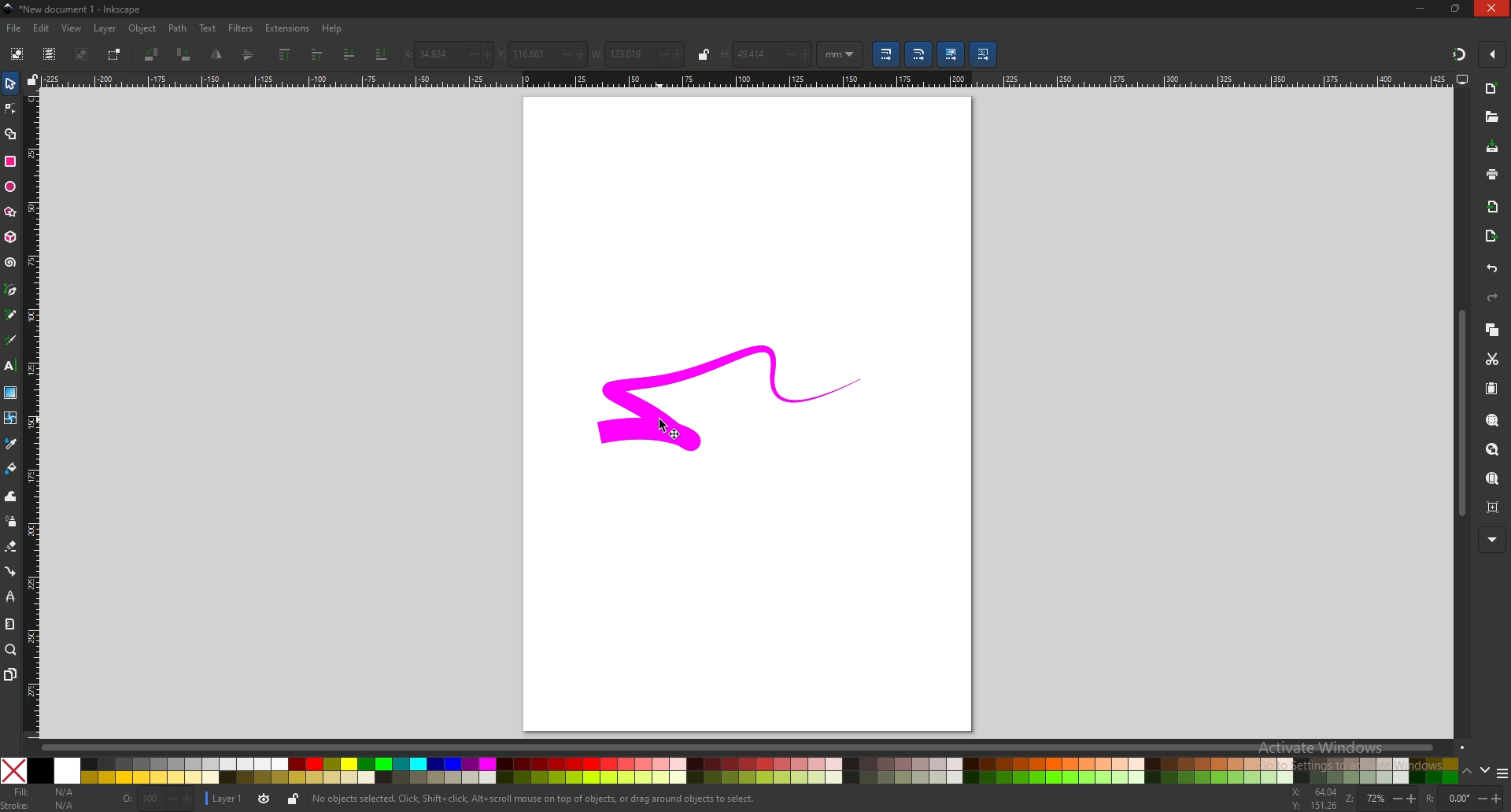 The height and width of the screenshot is (812, 1511). What do you see at coordinates (10, 83) in the screenshot?
I see `selector` at bounding box center [10, 83].